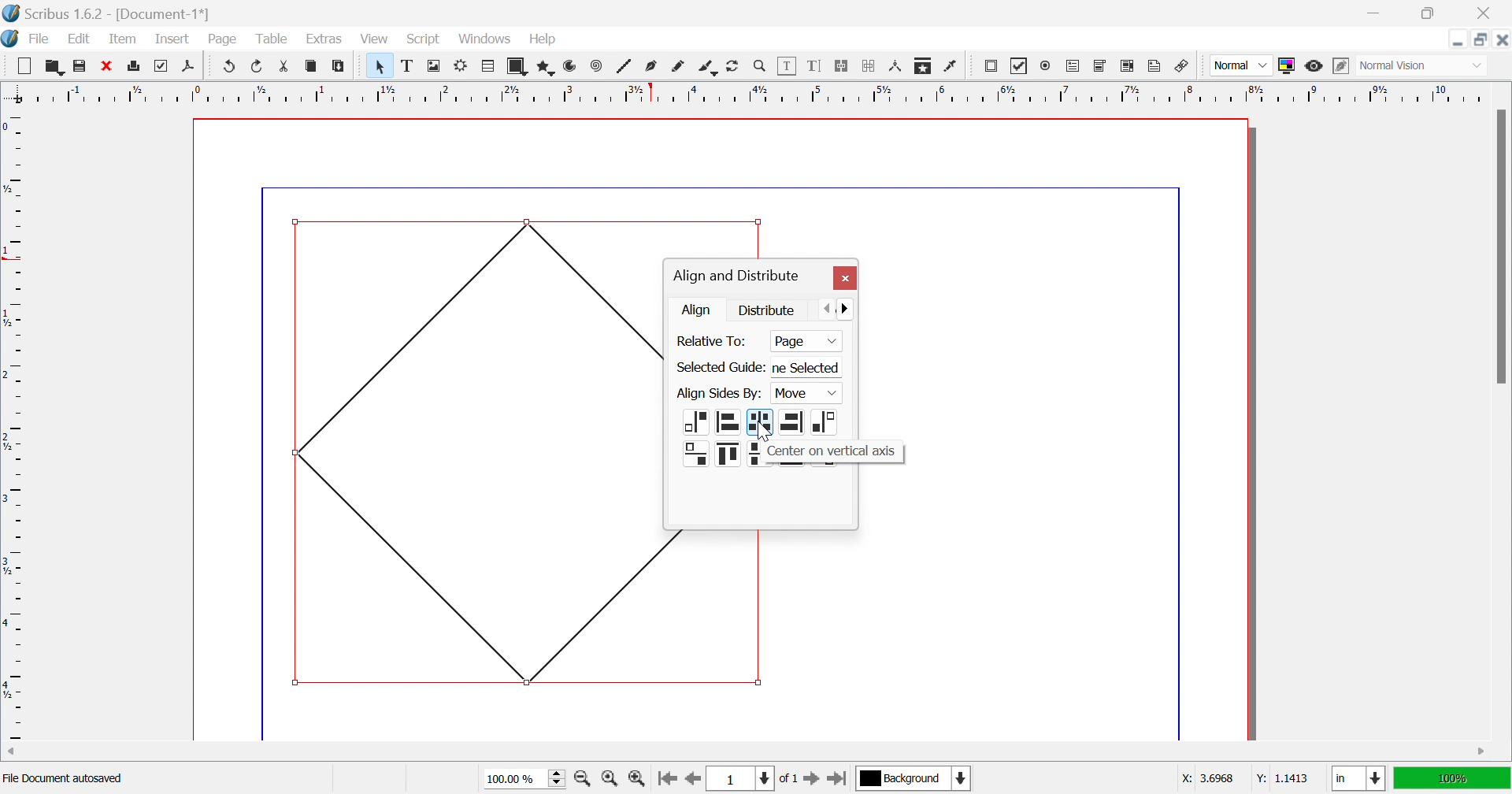  I want to click on Cursor, so click(762, 430).